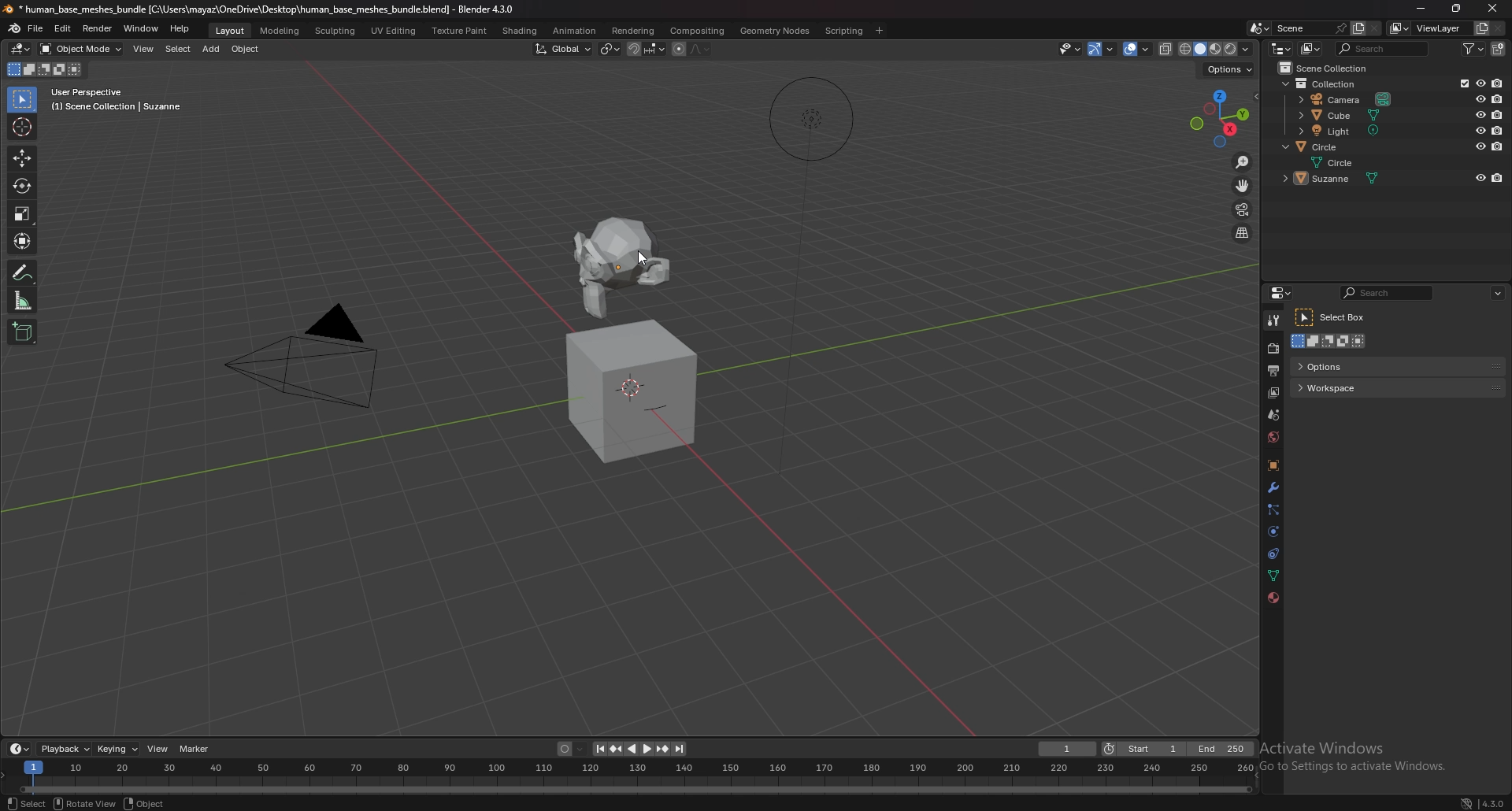  I want to click on collection, so click(1329, 68).